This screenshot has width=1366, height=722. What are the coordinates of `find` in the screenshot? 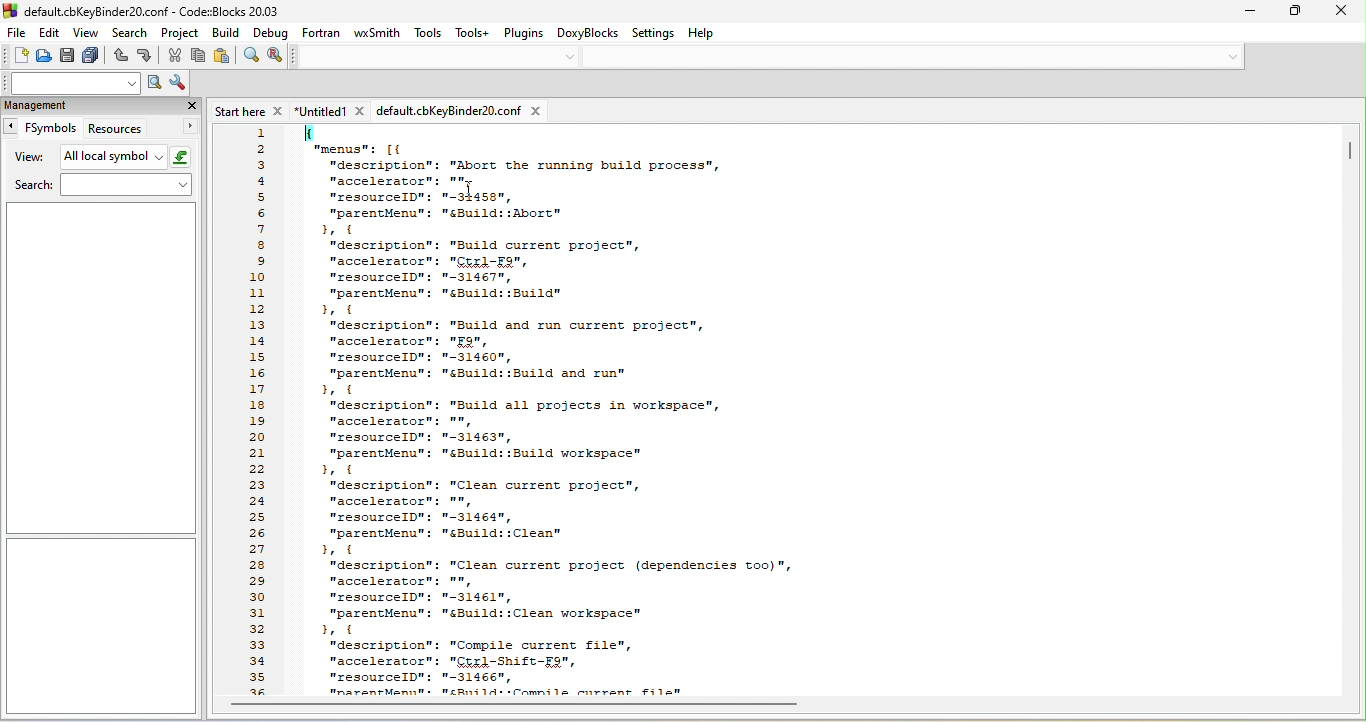 It's located at (251, 58).